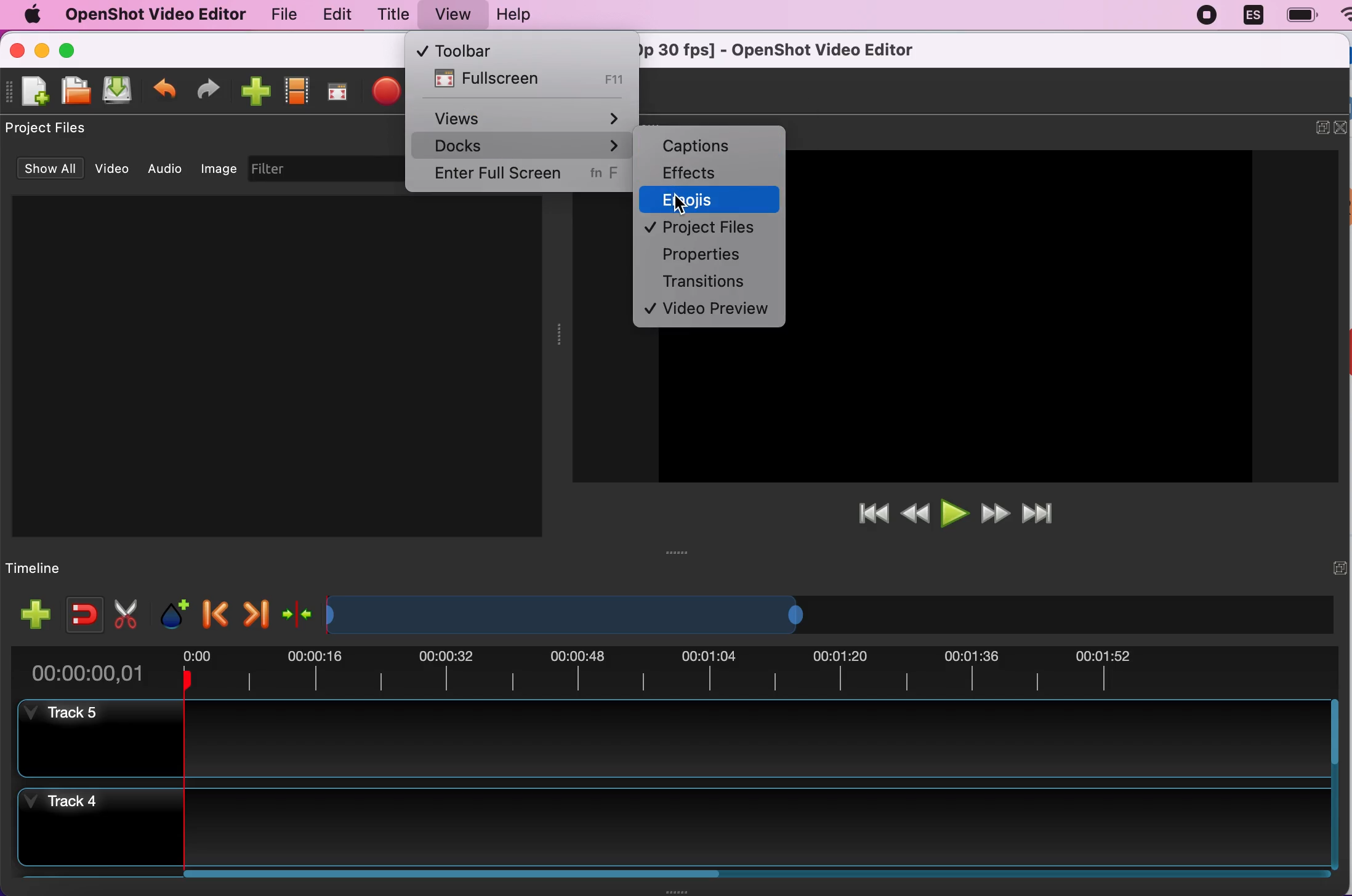 This screenshot has width=1352, height=896. What do you see at coordinates (254, 89) in the screenshot?
I see `import files` at bounding box center [254, 89].